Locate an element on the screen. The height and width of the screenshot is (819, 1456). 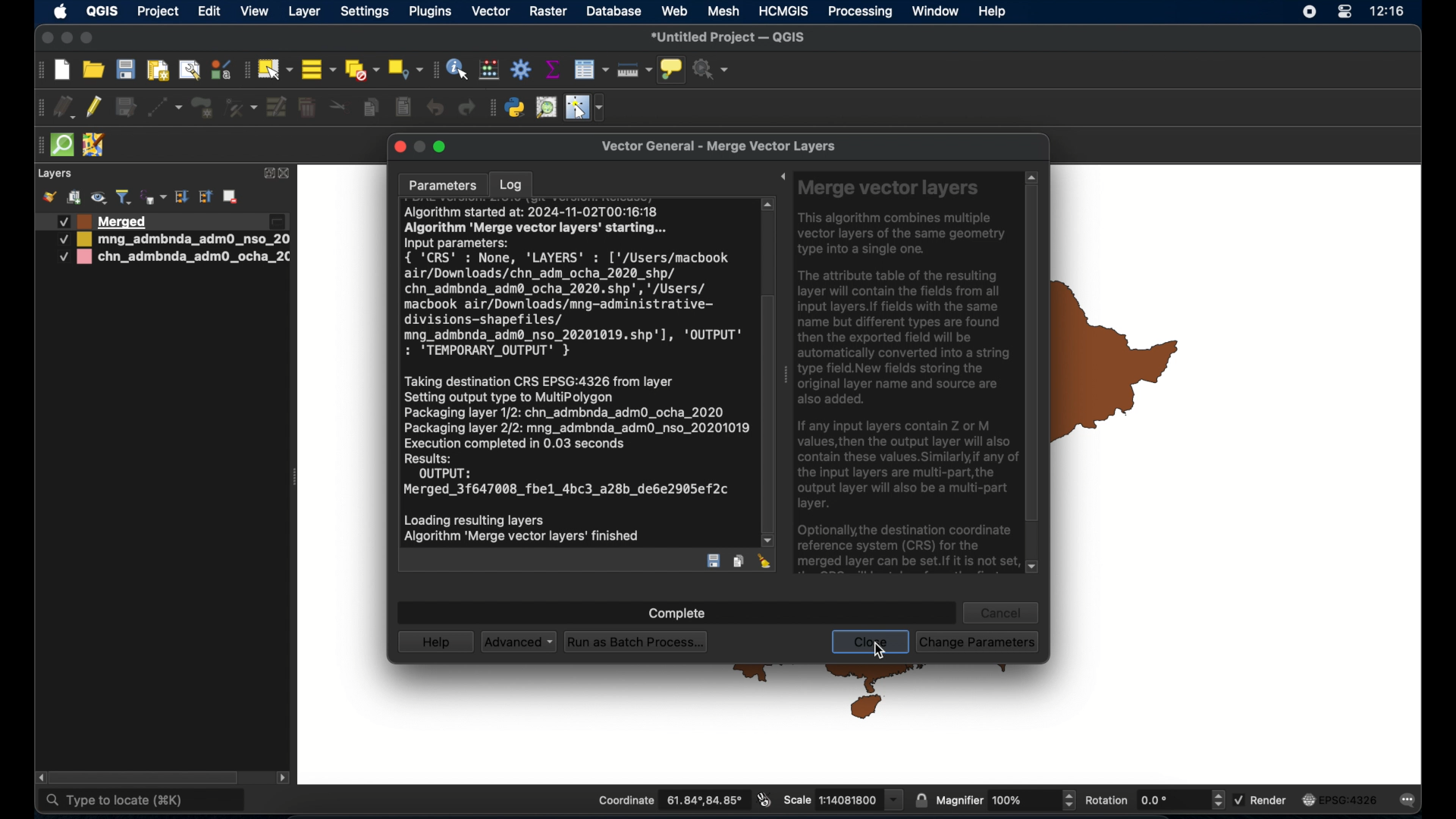
show print layout is located at coordinates (156, 70).